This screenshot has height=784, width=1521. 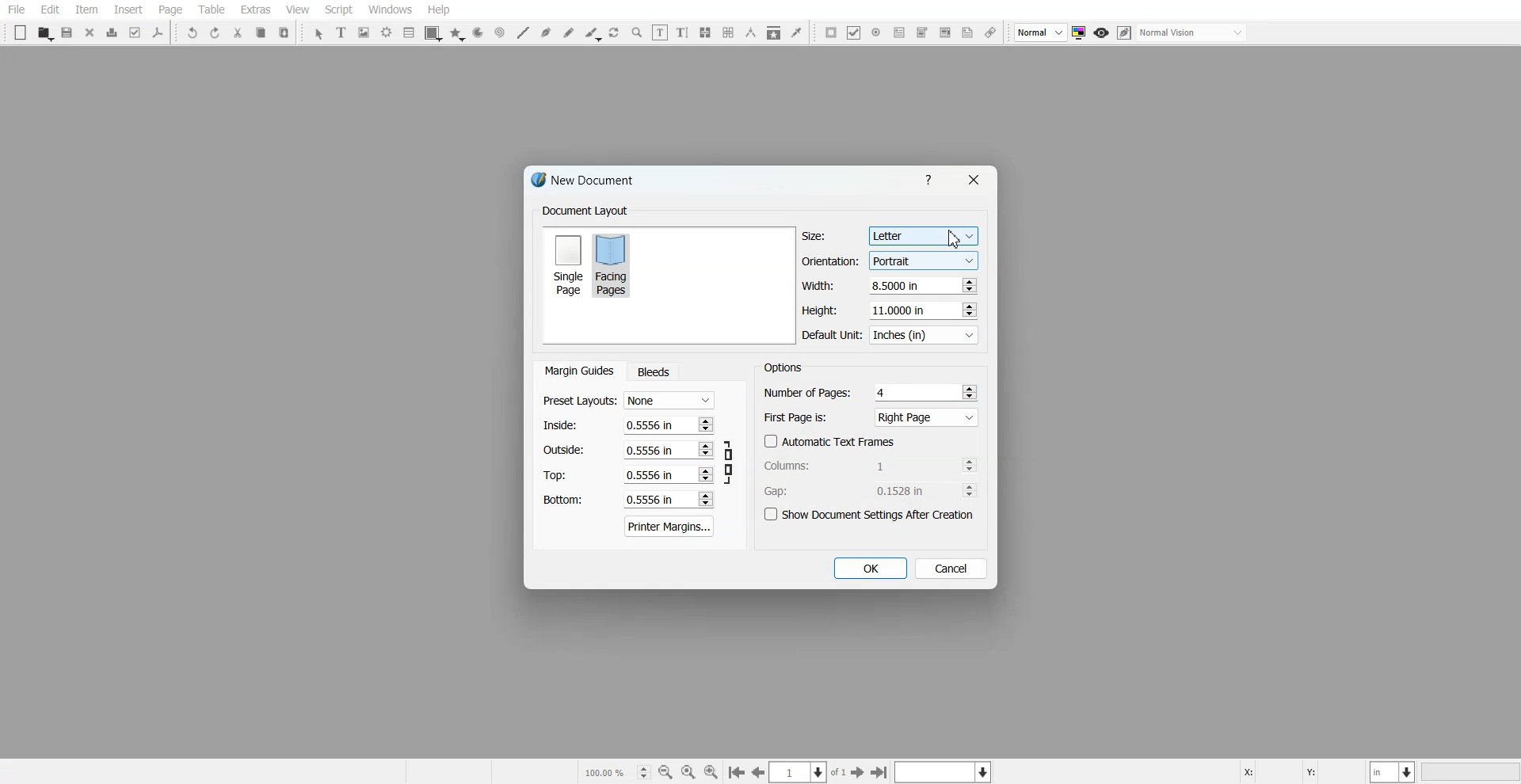 What do you see at coordinates (932, 179) in the screenshot?
I see `Help` at bounding box center [932, 179].